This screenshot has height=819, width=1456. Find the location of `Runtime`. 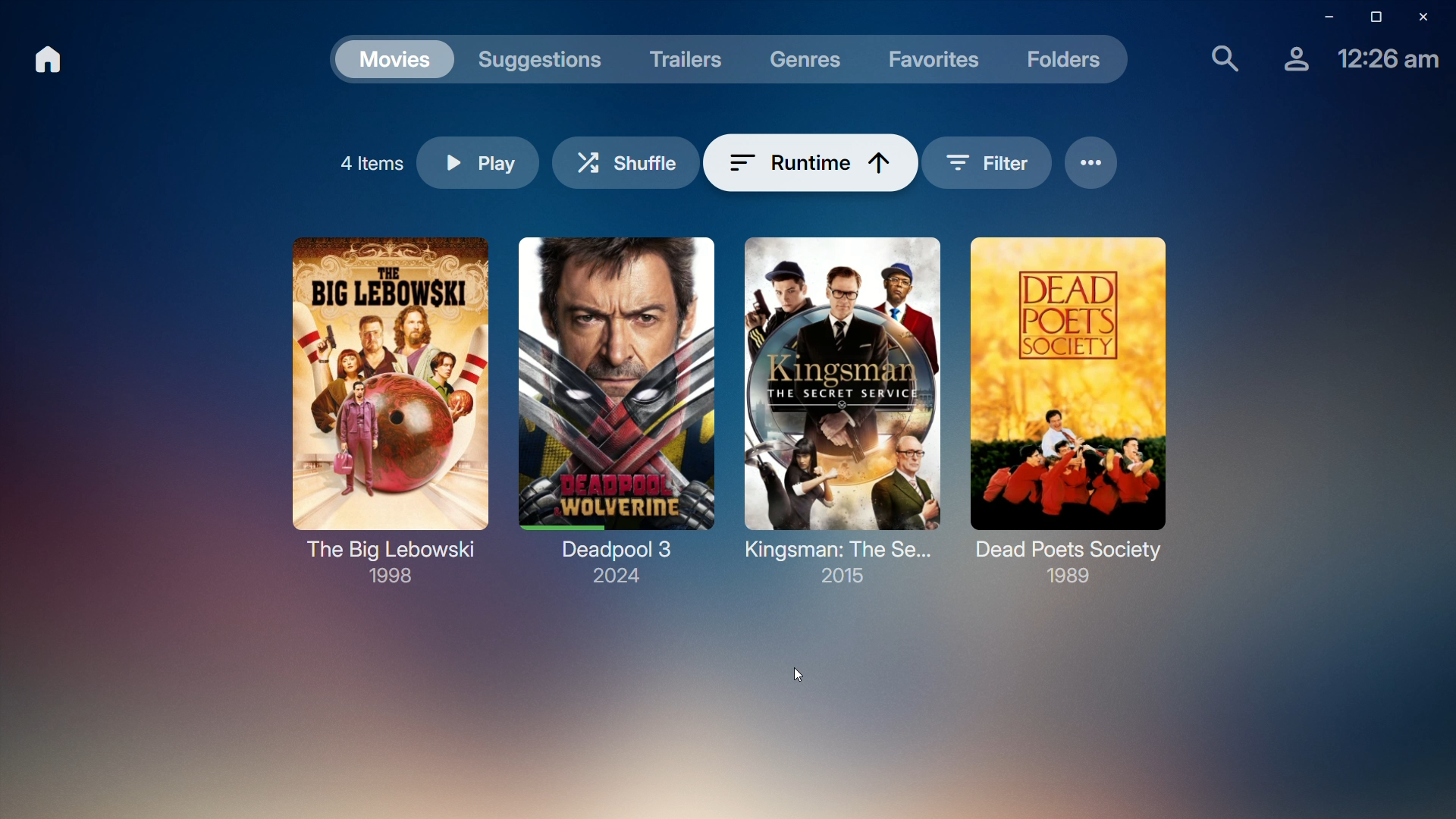

Runtime is located at coordinates (811, 161).